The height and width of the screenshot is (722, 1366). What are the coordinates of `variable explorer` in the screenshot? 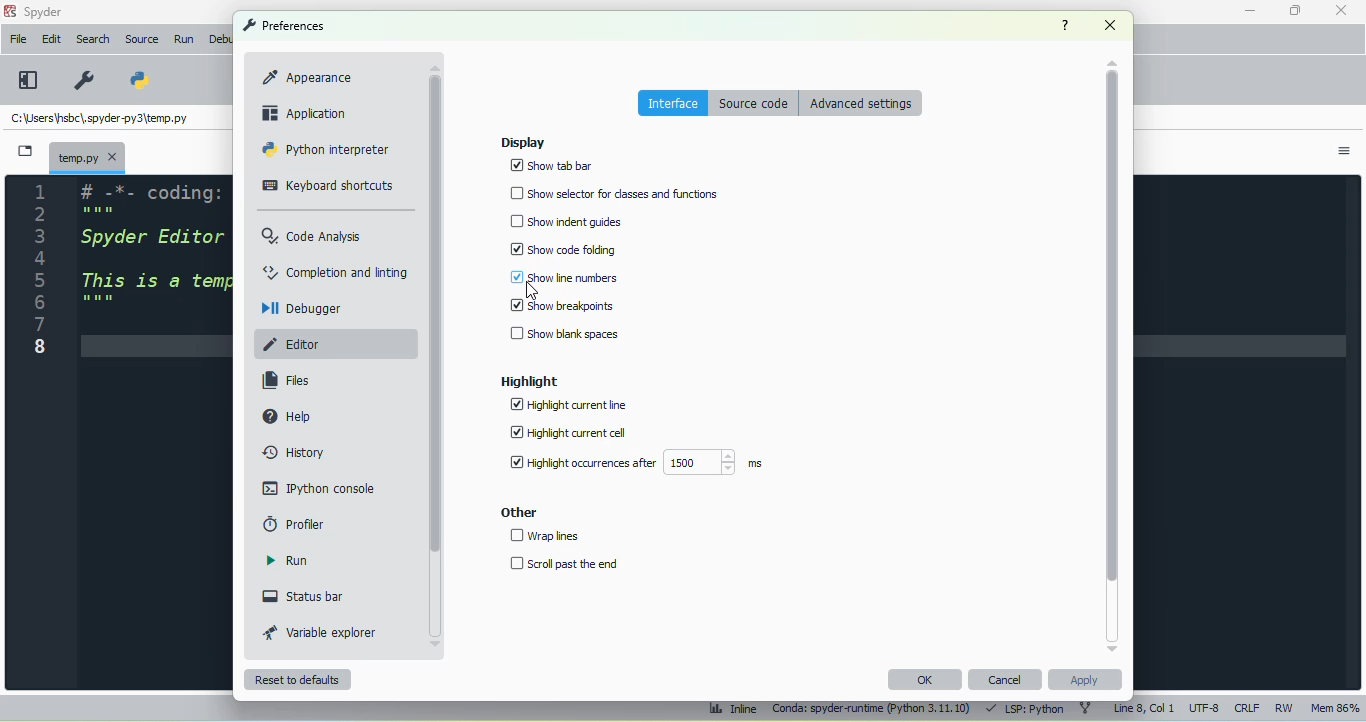 It's located at (321, 632).